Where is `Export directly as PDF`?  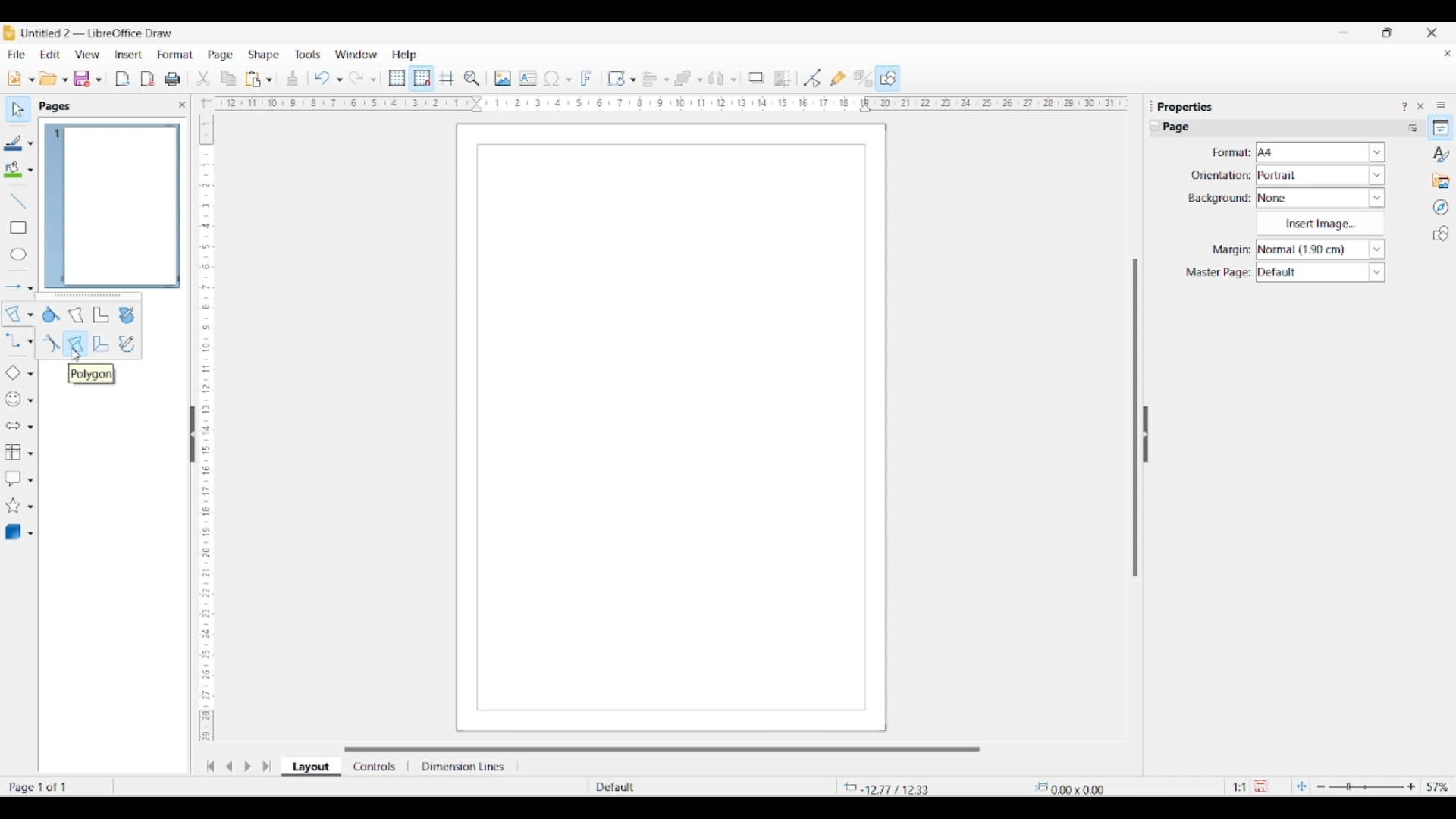
Export directly as PDF is located at coordinates (148, 80).